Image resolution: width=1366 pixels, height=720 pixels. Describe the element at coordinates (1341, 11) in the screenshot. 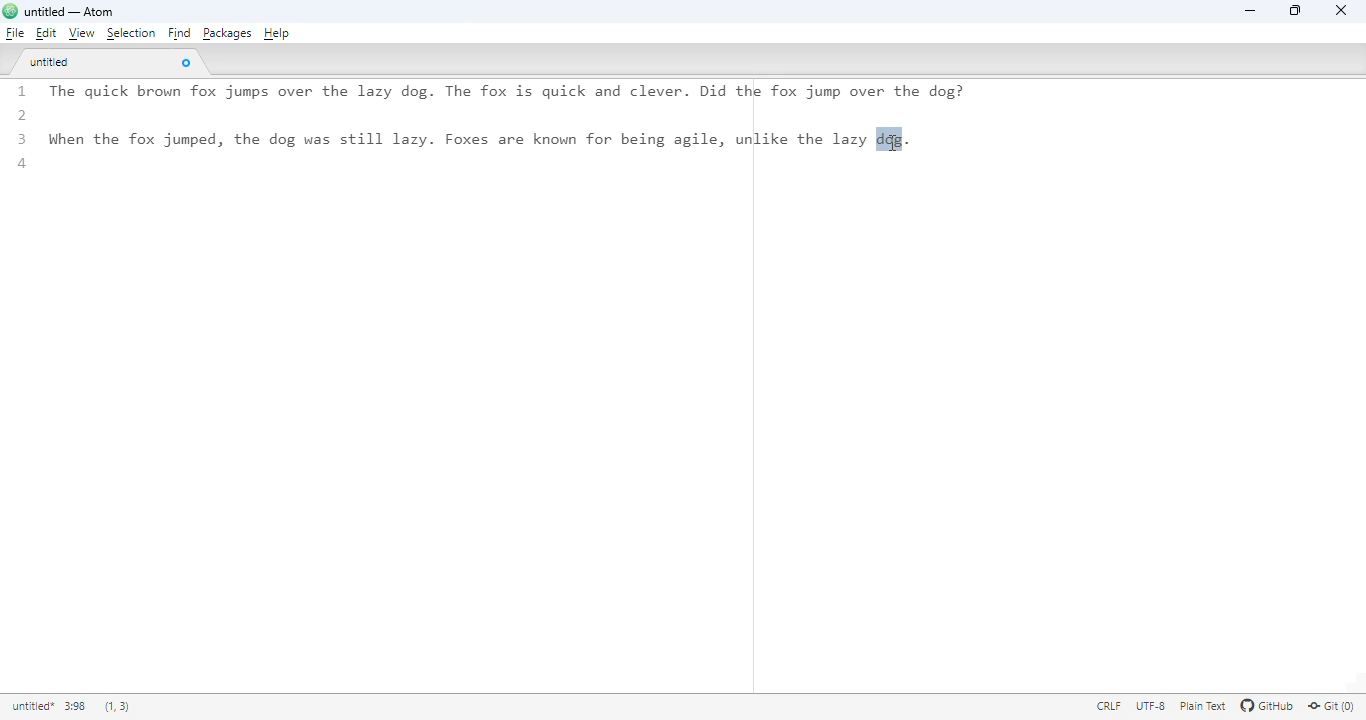

I see `close` at that location.